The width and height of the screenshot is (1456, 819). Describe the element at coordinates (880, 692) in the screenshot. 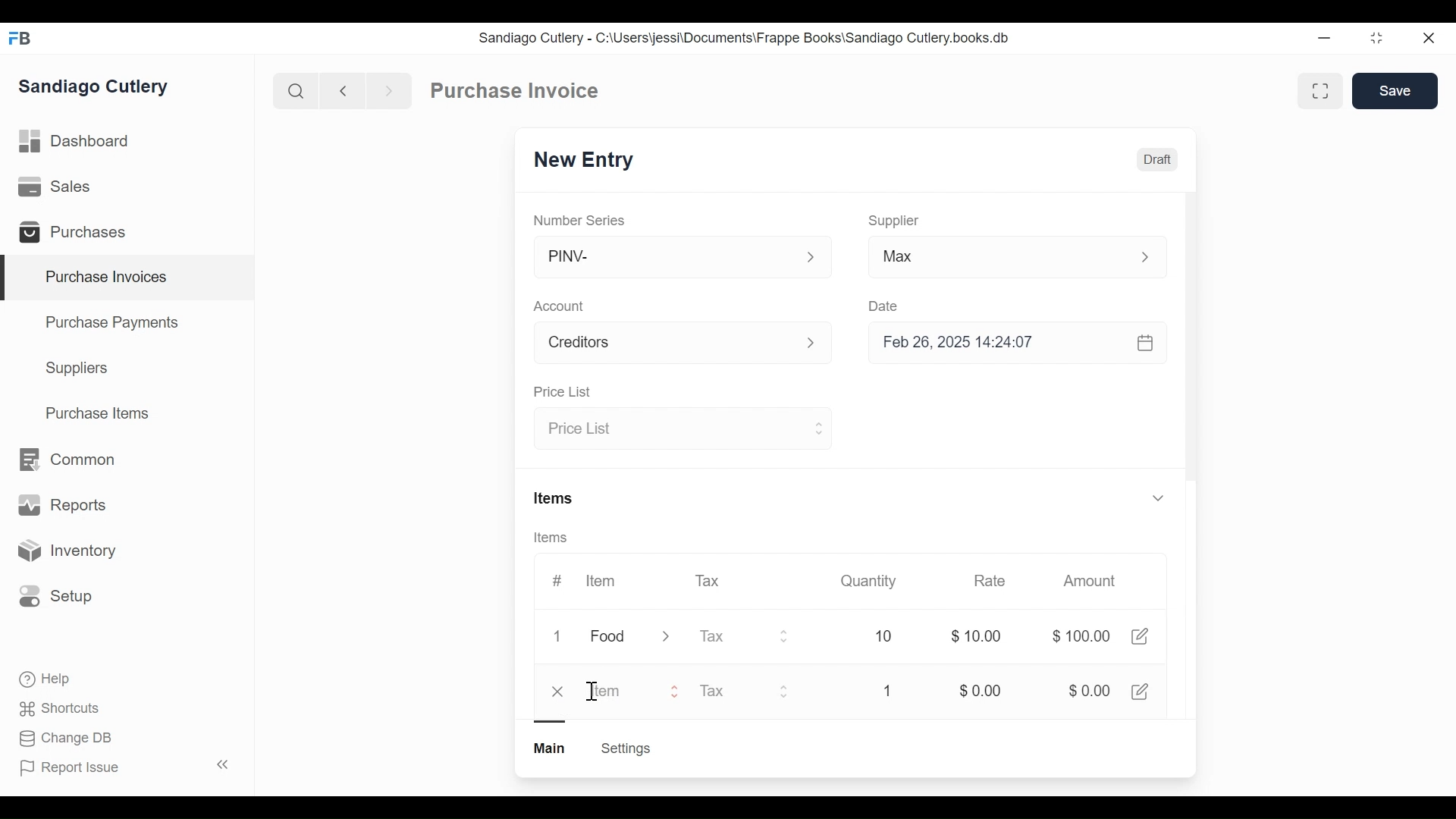

I see `1` at that location.